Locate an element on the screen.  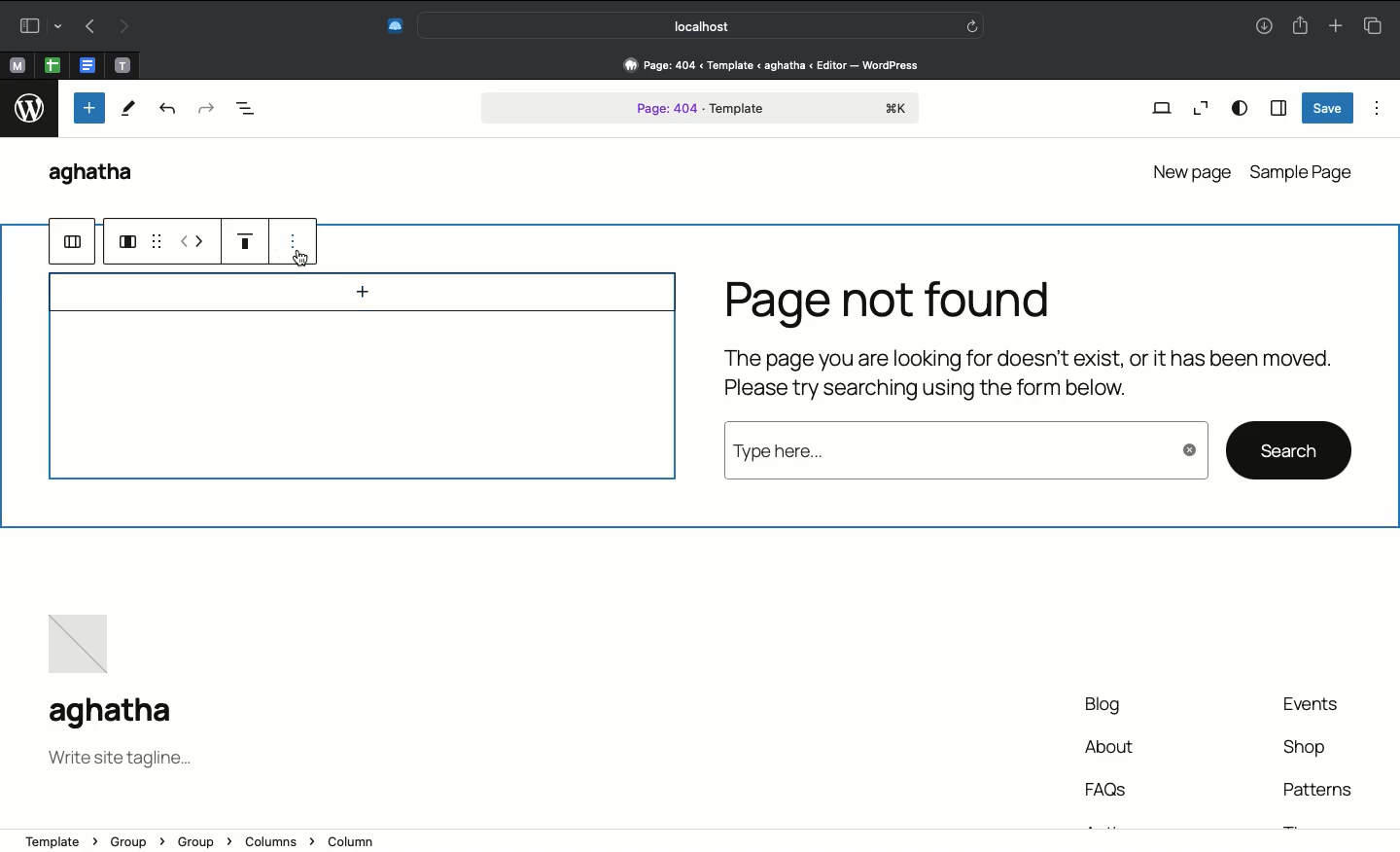
Save is located at coordinates (1328, 108).